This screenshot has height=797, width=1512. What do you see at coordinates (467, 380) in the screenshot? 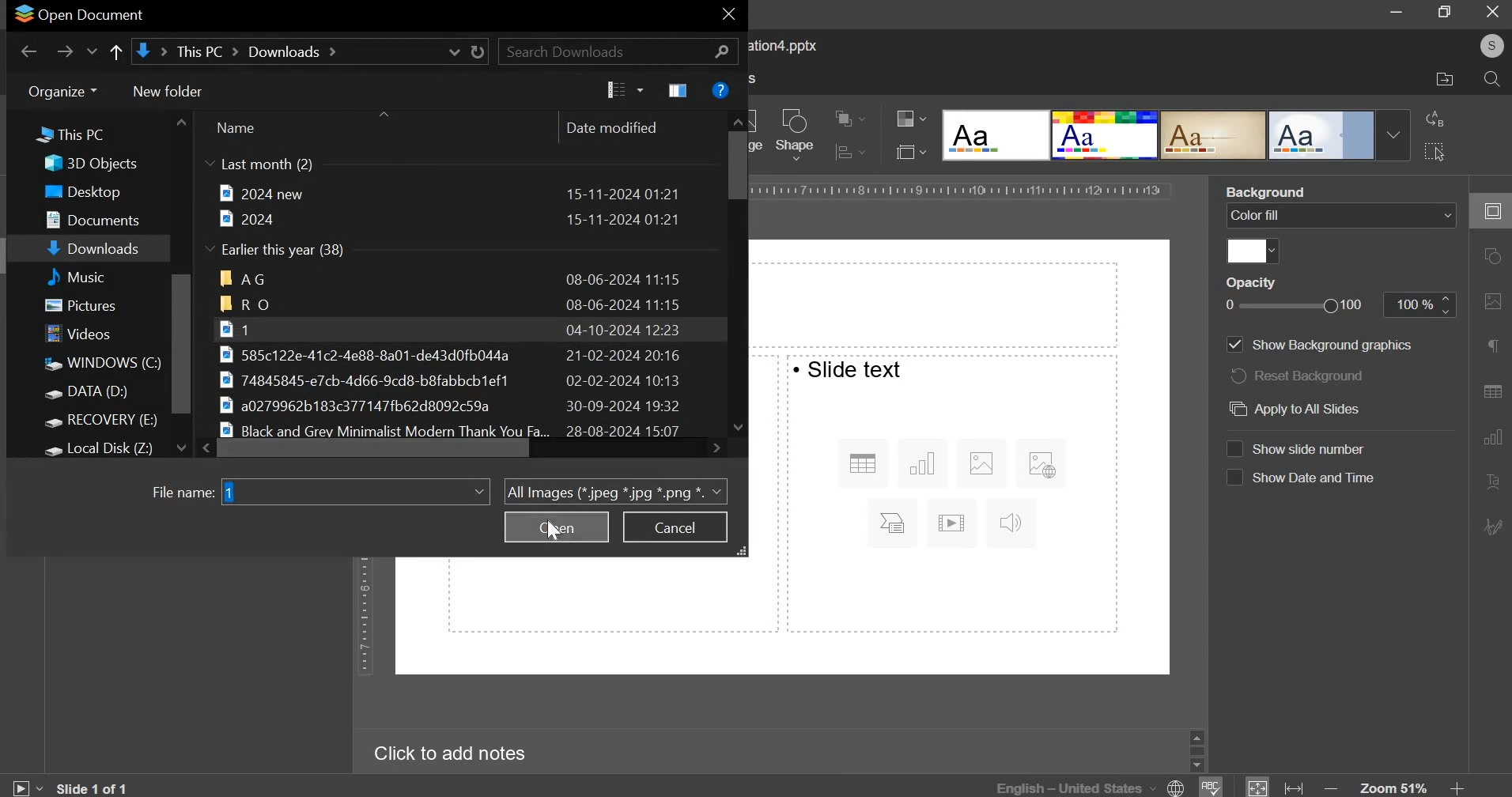
I see `image file` at bounding box center [467, 380].